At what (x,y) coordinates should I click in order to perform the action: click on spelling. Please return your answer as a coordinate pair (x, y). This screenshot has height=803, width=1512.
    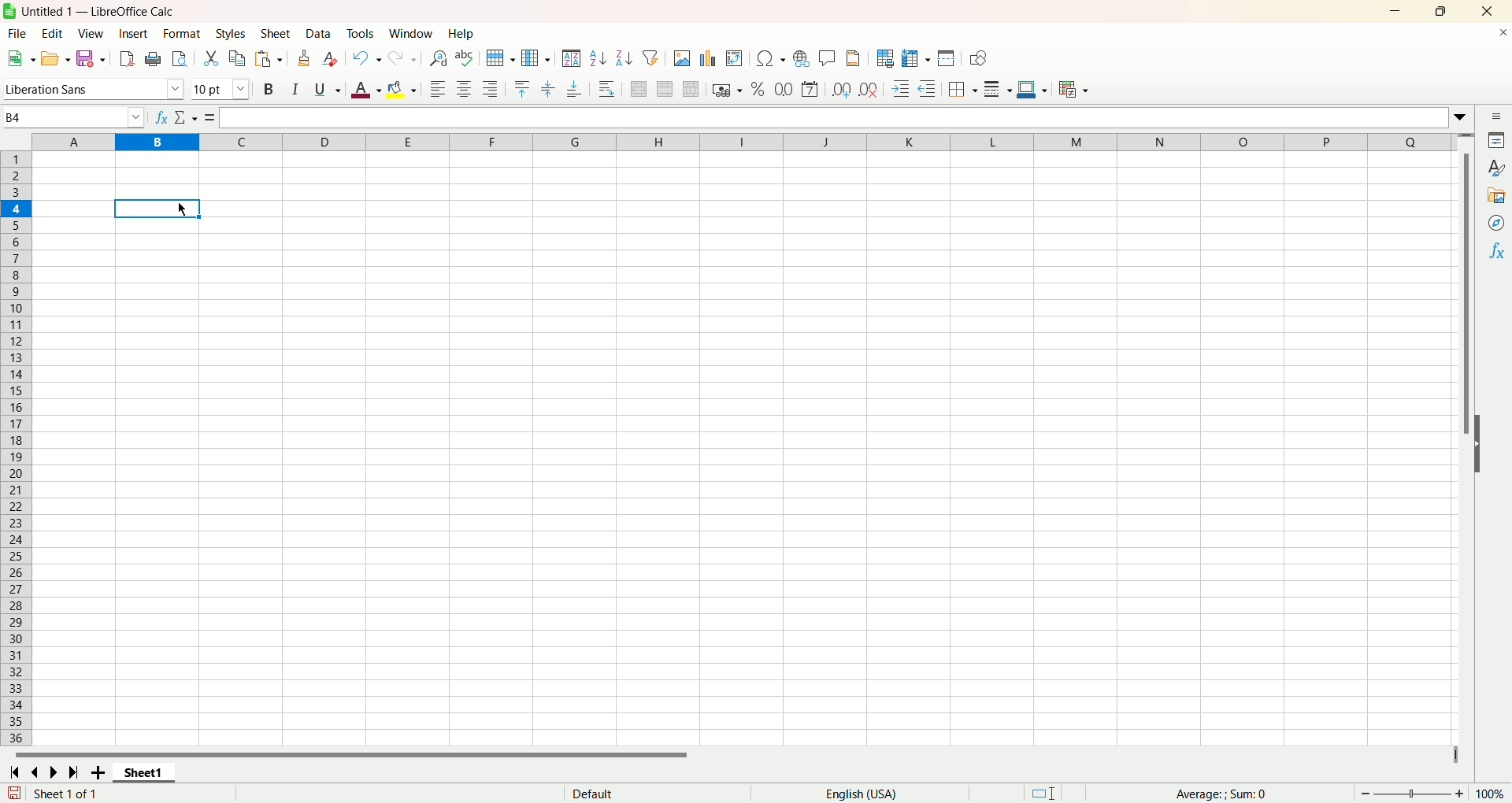
    Looking at the image, I should click on (464, 59).